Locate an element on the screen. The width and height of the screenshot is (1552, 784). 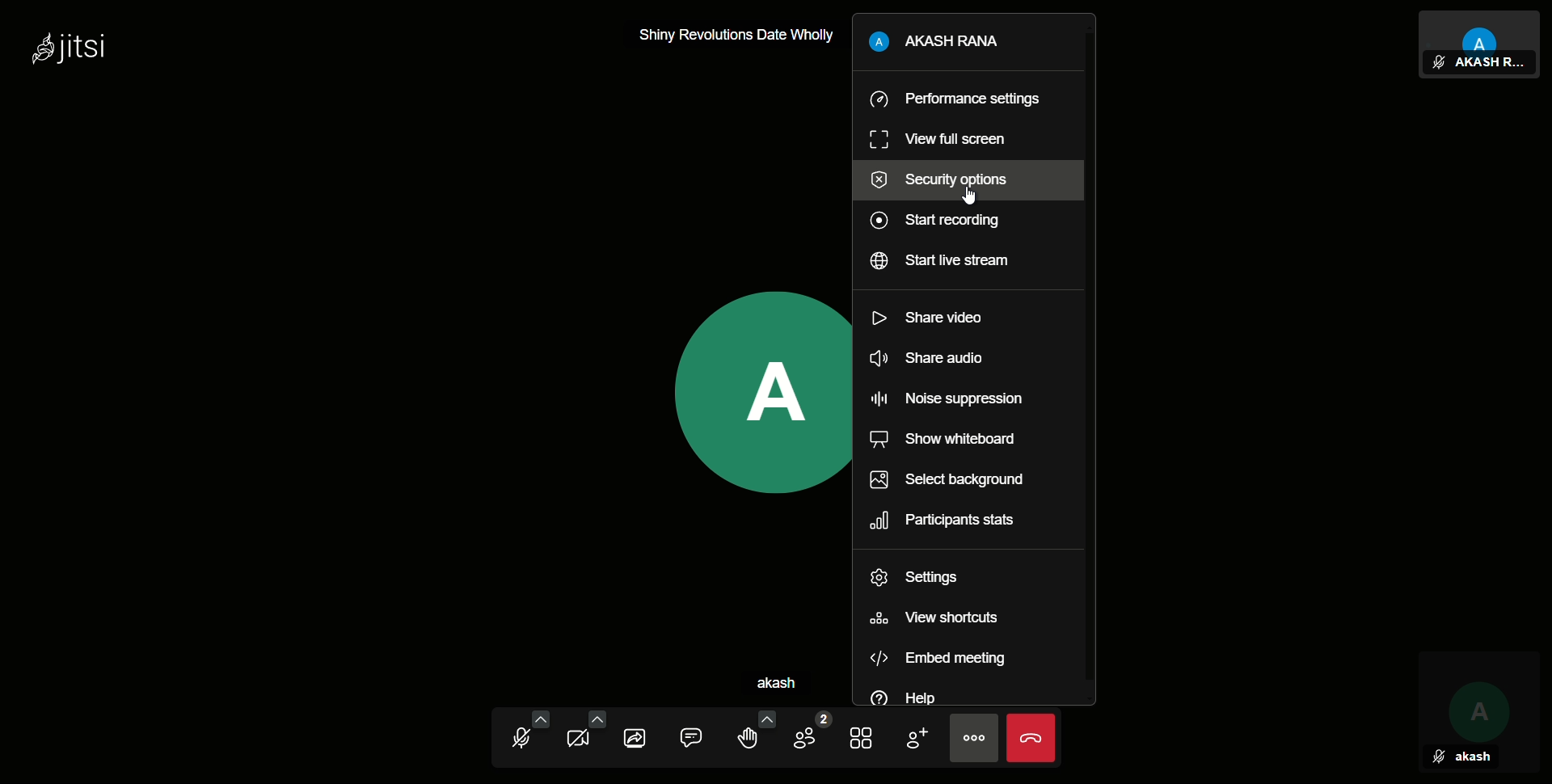
jitsi is located at coordinates (69, 51).